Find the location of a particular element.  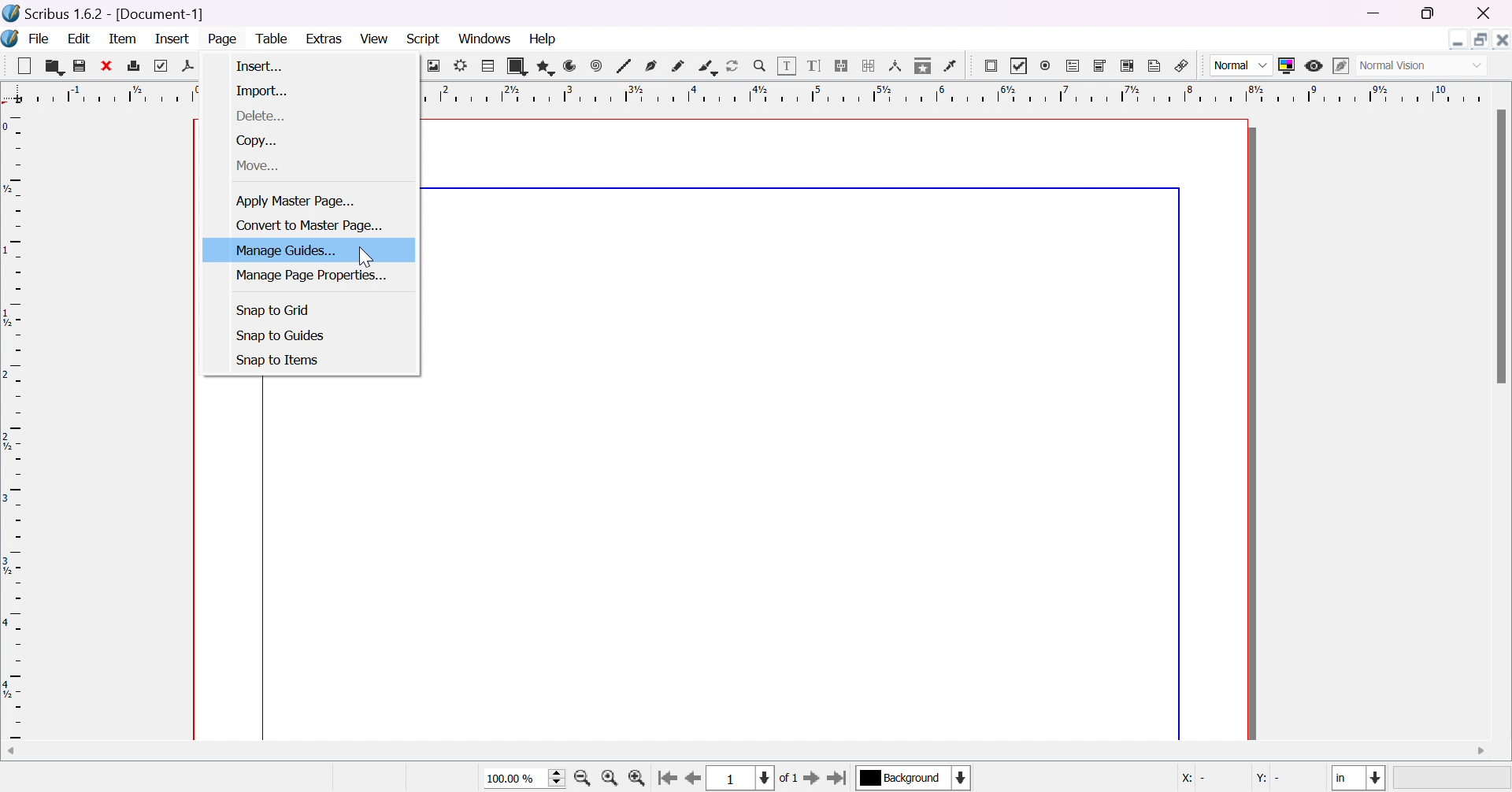

spiral is located at coordinates (596, 65).